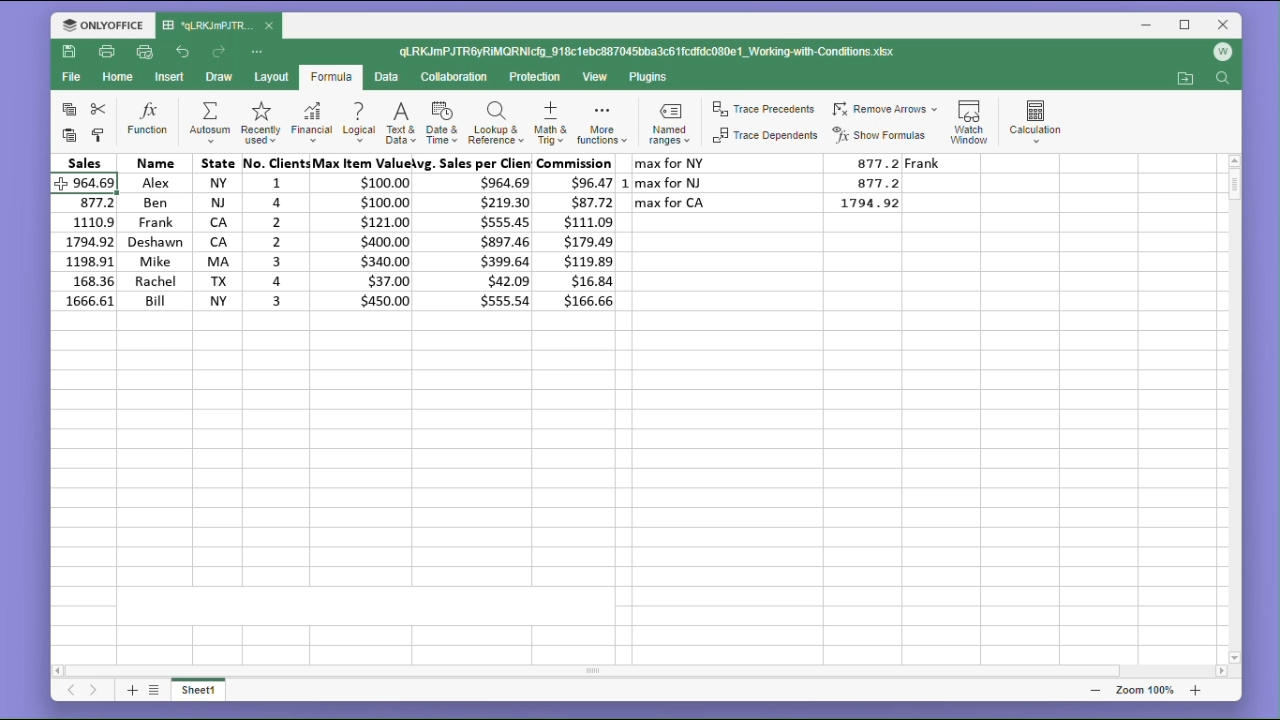 This screenshot has width=1280, height=720. What do you see at coordinates (399, 125) in the screenshot?
I see `text & data` at bounding box center [399, 125].